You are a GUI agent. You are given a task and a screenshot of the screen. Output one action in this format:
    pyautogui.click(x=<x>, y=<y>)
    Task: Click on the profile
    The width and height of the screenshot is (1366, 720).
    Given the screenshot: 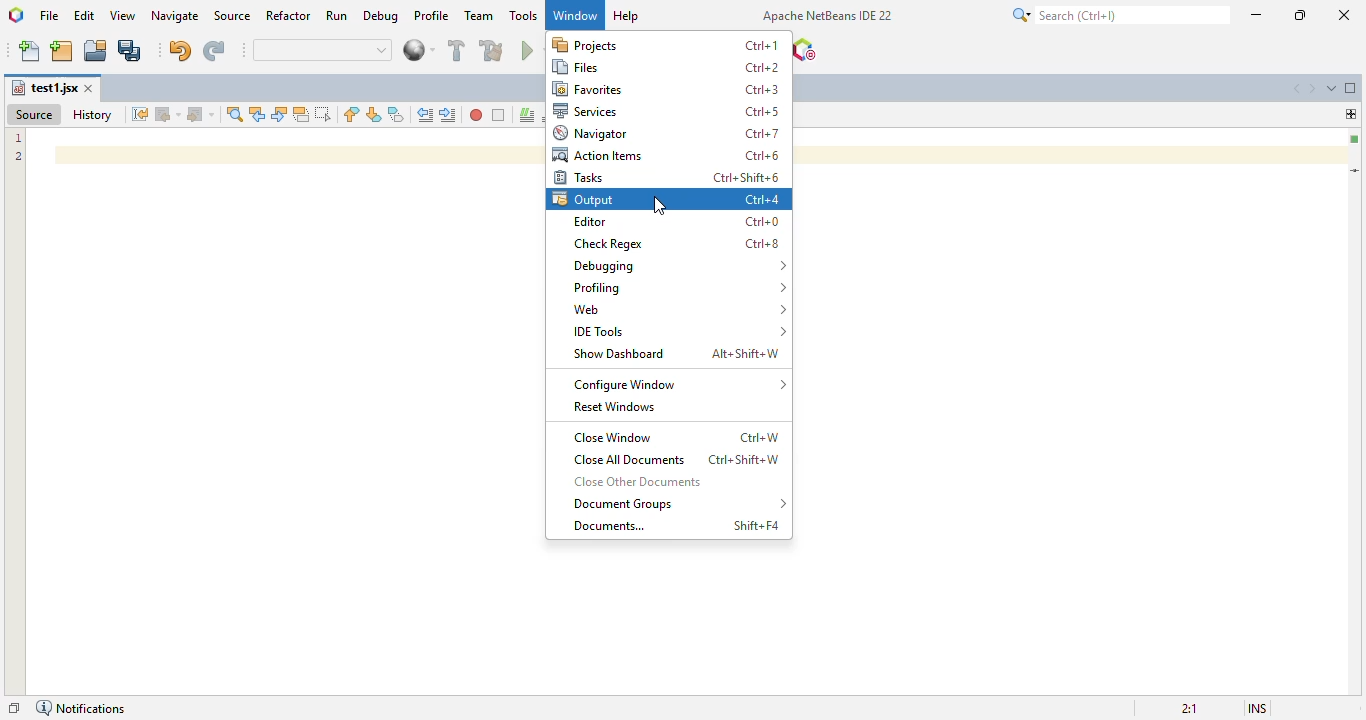 What is the action you would take?
    pyautogui.click(x=431, y=16)
    